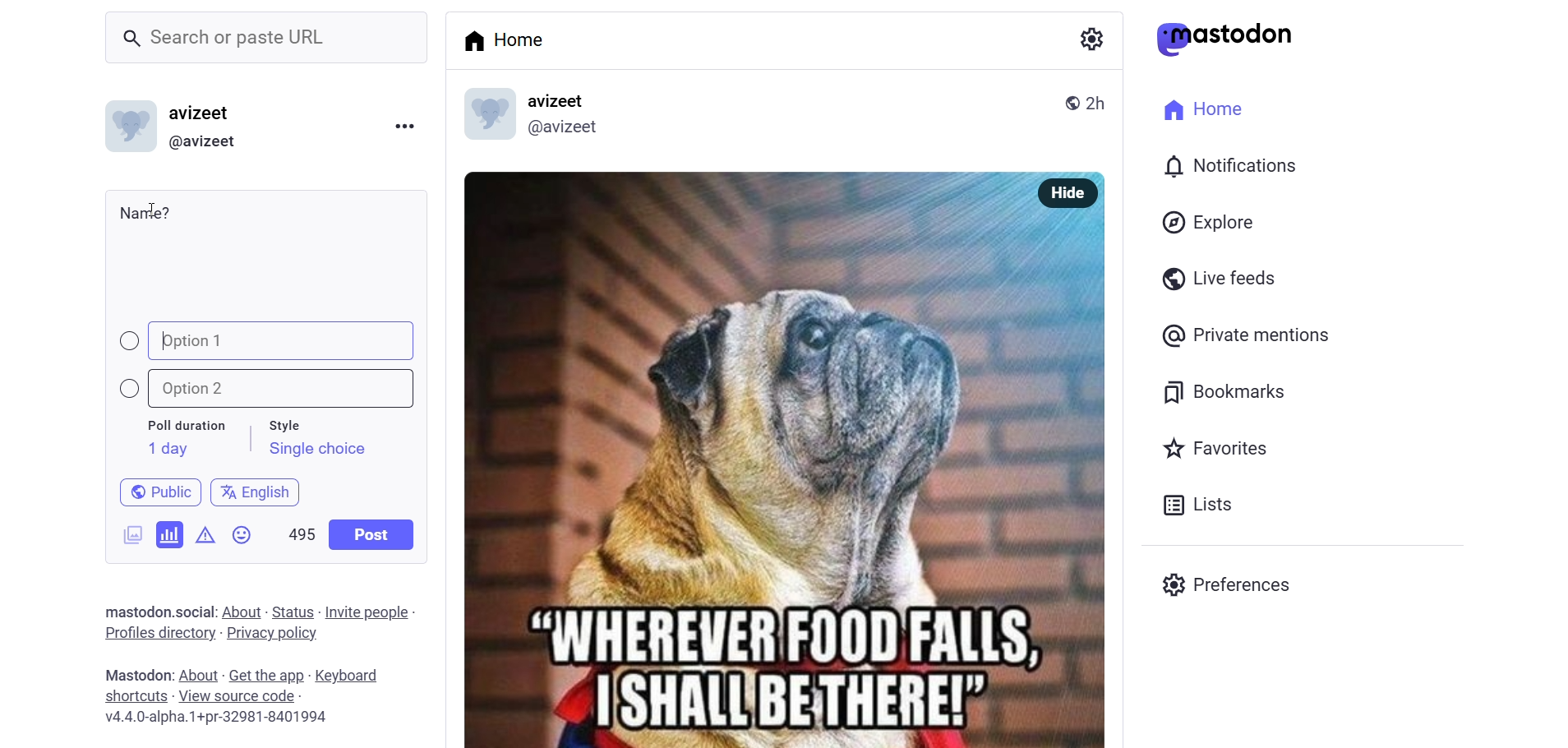  What do you see at coordinates (733, 451) in the screenshot?
I see `post image` at bounding box center [733, 451].